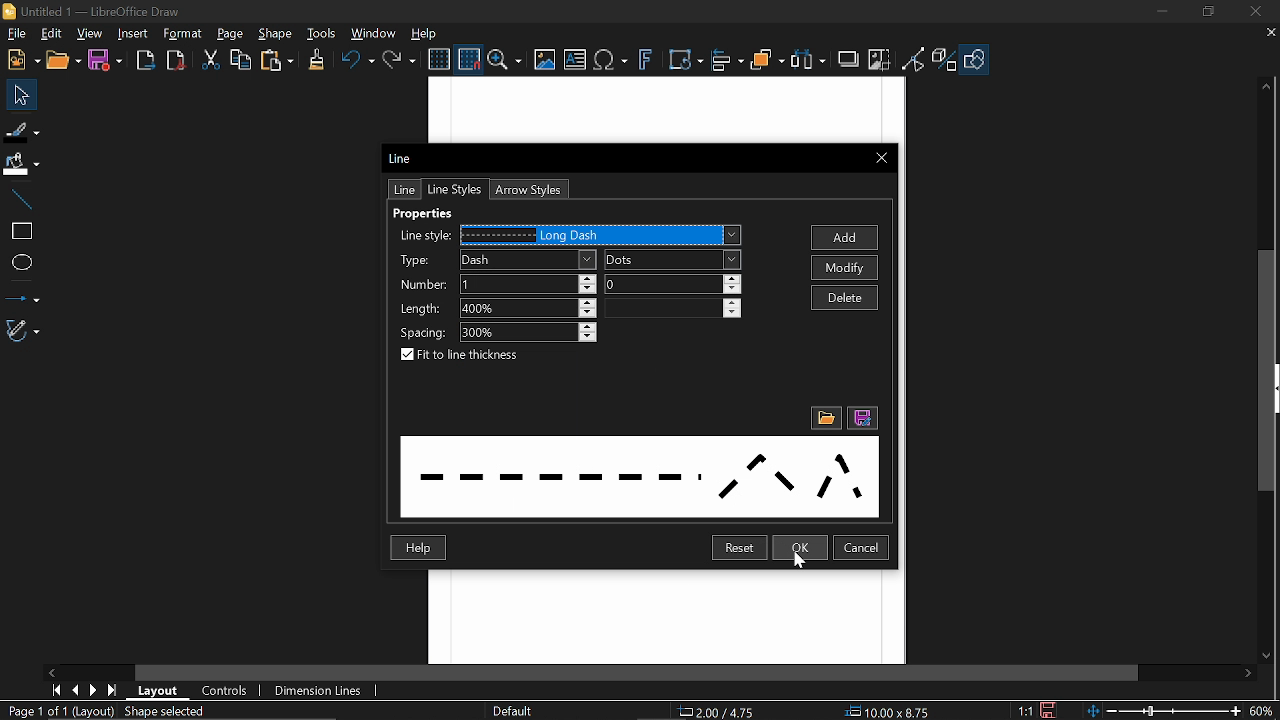 The width and height of the screenshot is (1280, 720). Describe the element at coordinates (1270, 658) in the screenshot. I see `Move down` at that location.